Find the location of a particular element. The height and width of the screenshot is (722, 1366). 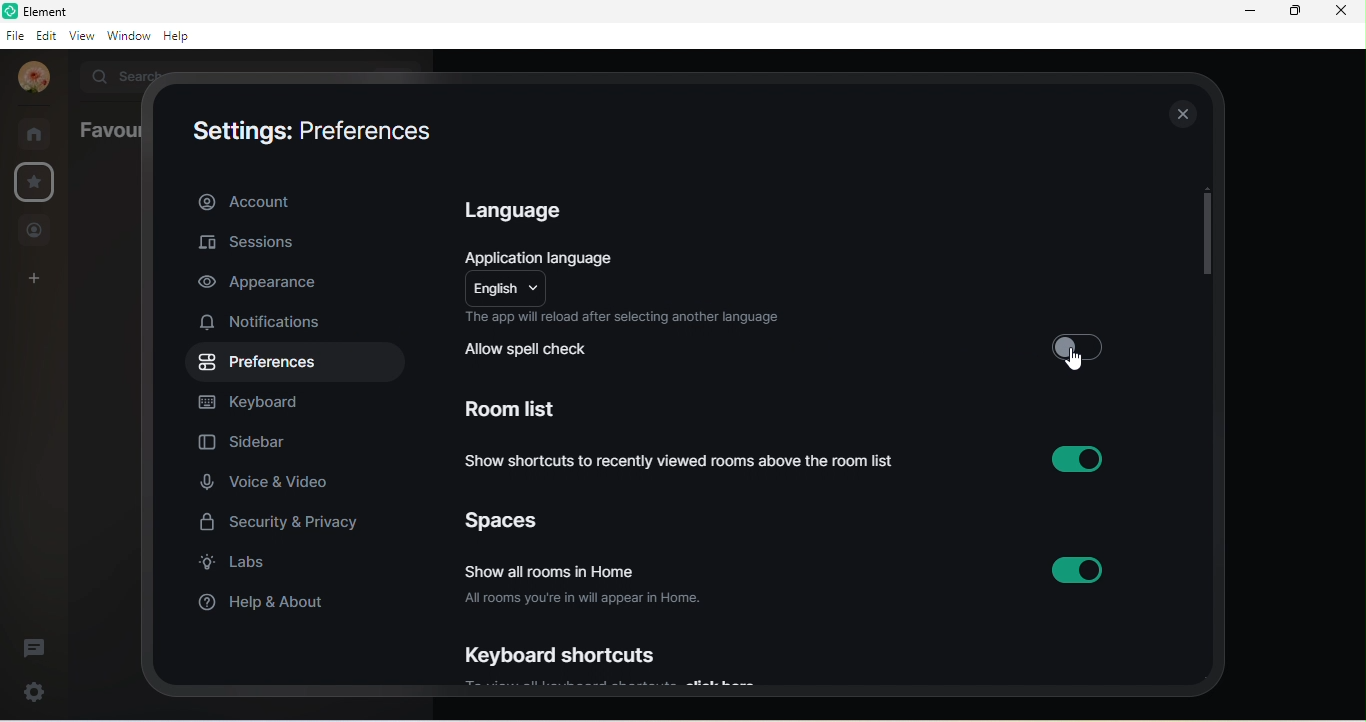

all rooms your in will appear in home is located at coordinates (591, 601).